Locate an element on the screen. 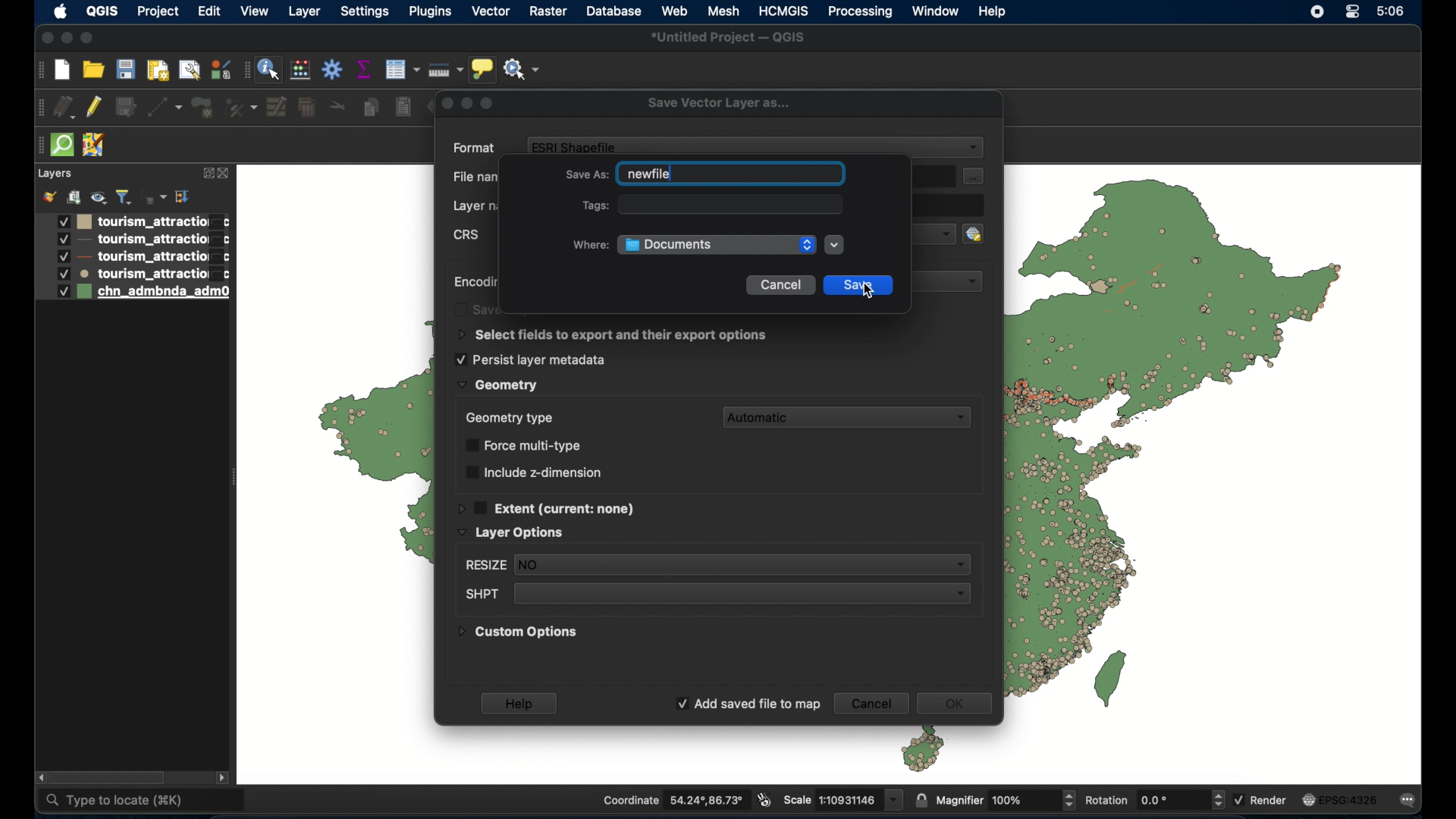 Image resolution: width=1456 pixels, height=819 pixels. window is located at coordinates (937, 11).